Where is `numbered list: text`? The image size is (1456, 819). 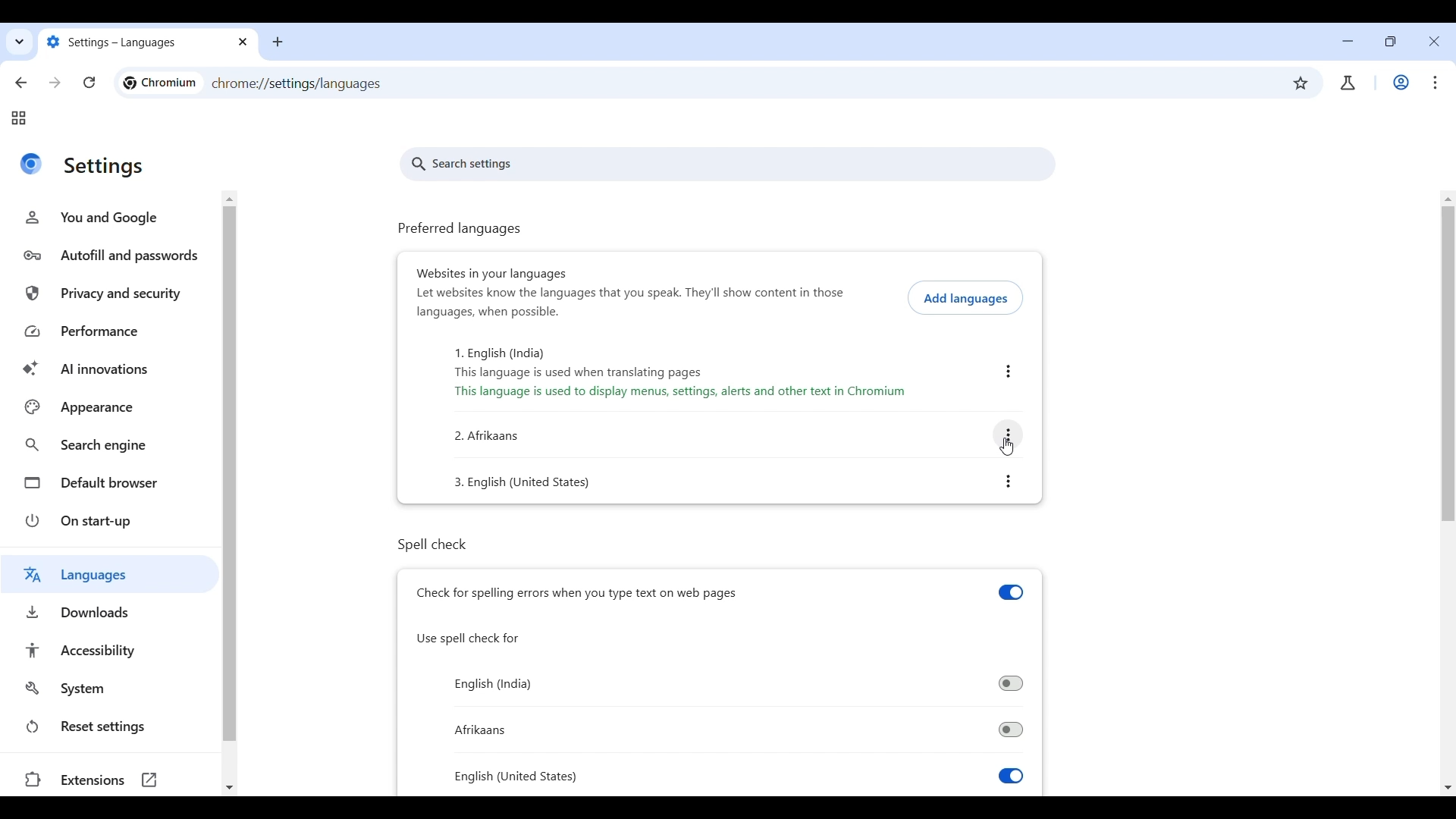
numbered list: text is located at coordinates (620, 373).